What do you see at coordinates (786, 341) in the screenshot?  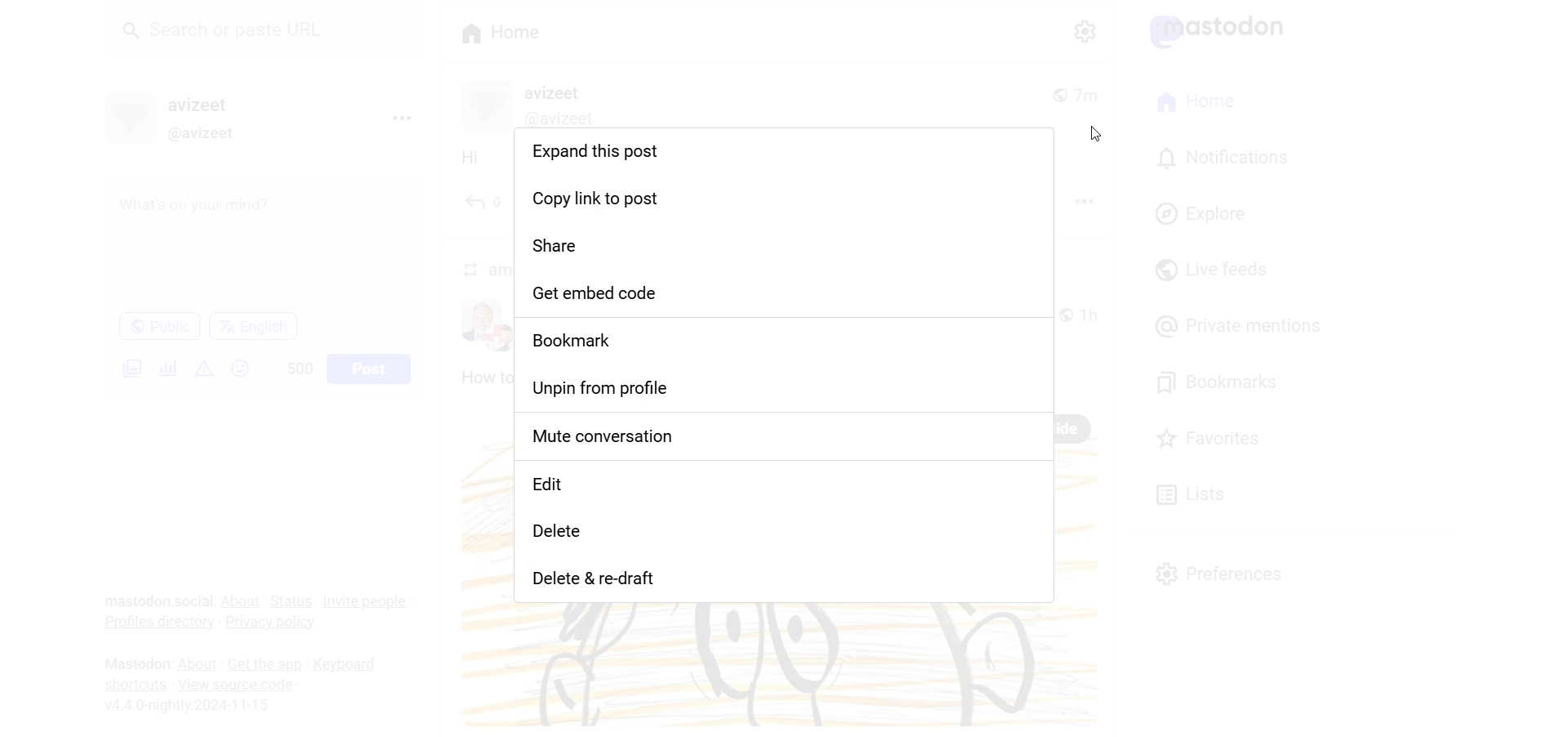 I see `Bookmark` at bounding box center [786, 341].